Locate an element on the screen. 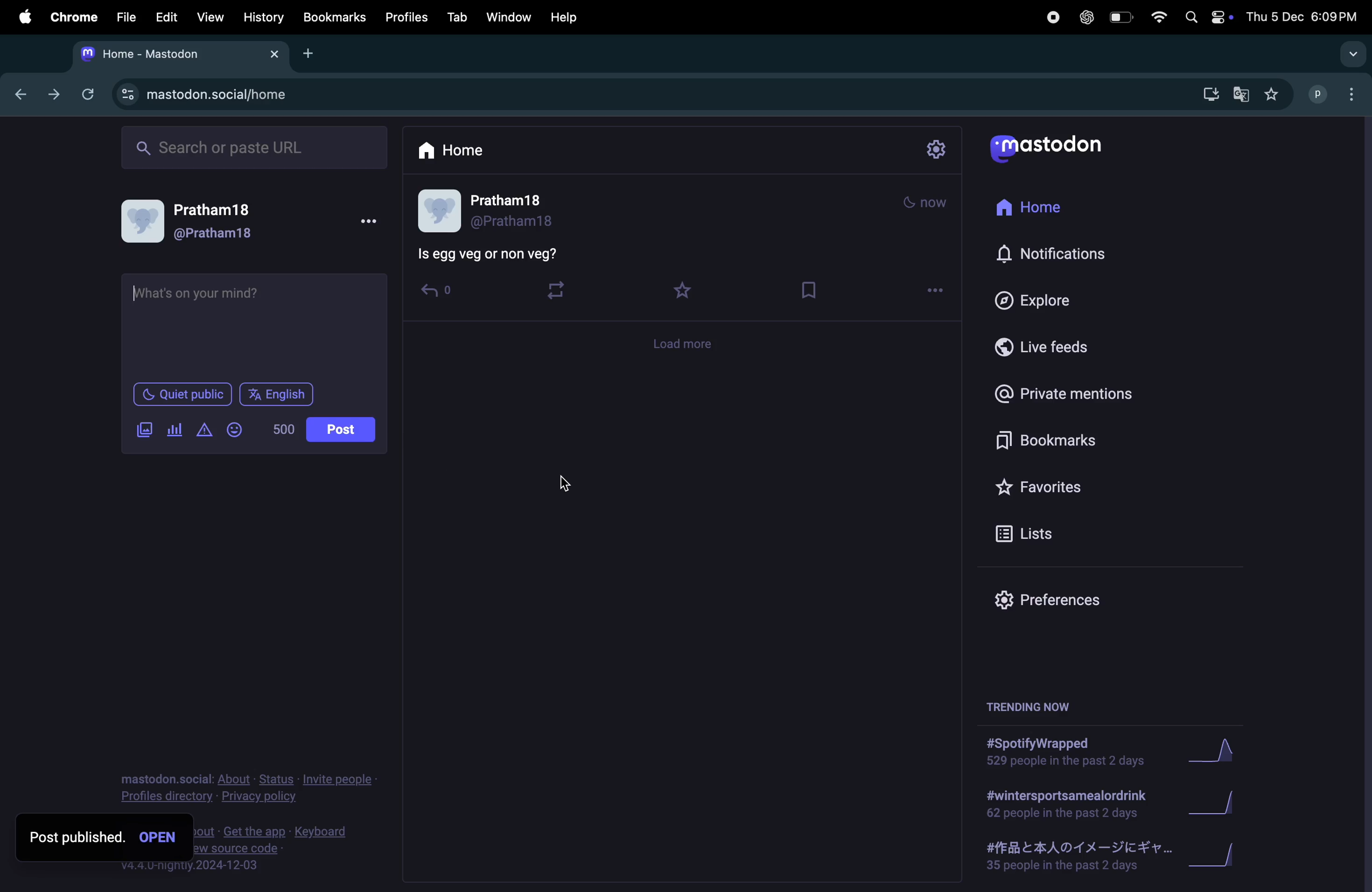  userprofile is located at coordinates (507, 211).